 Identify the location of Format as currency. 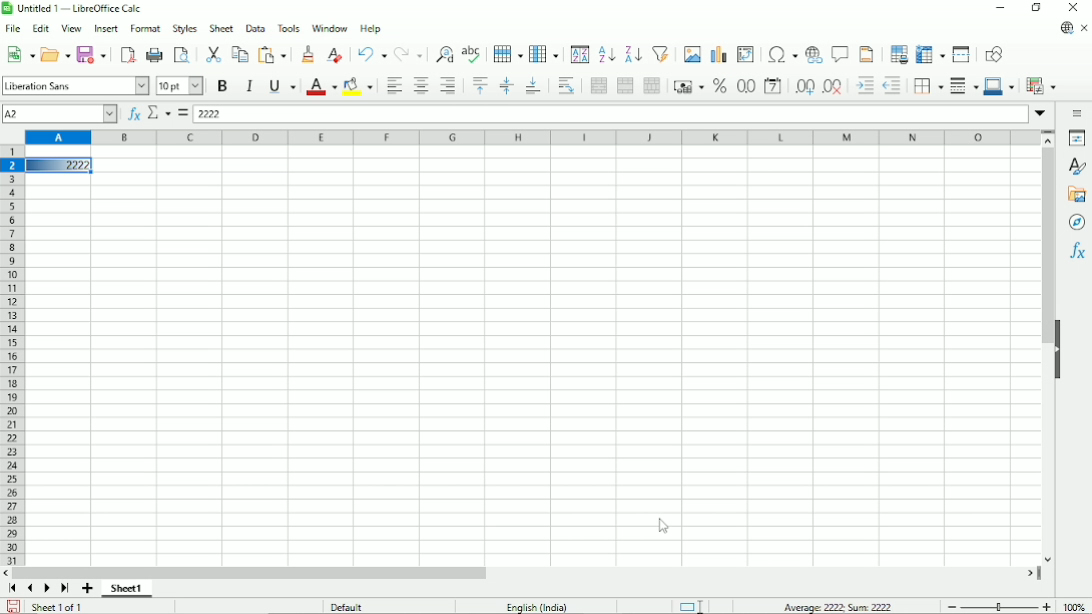
(686, 85).